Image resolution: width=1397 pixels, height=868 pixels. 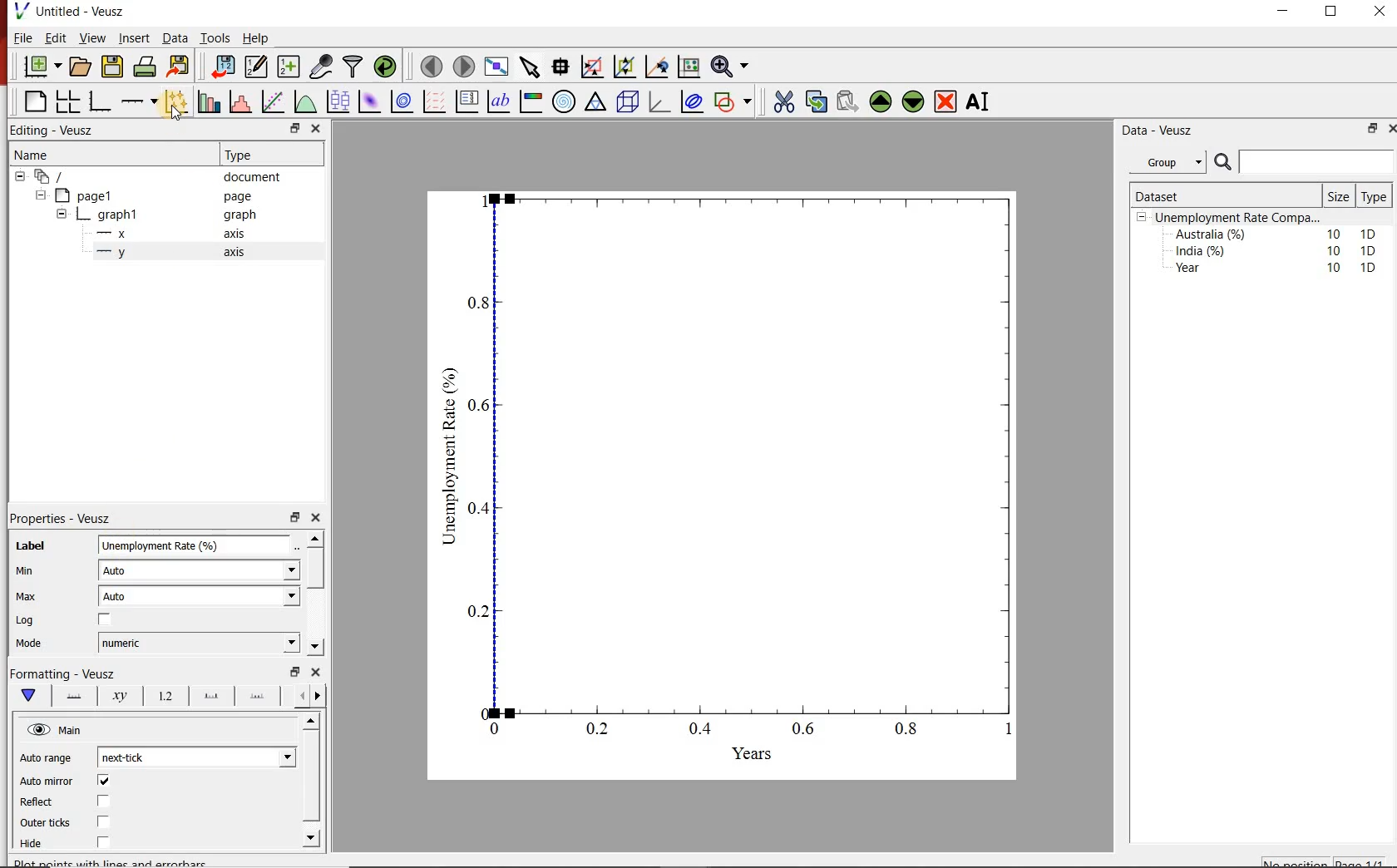 What do you see at coordinates (176, 101) in the screenshot?
I see `plot points with lines and errorbars` at bounding box center [176, 101].